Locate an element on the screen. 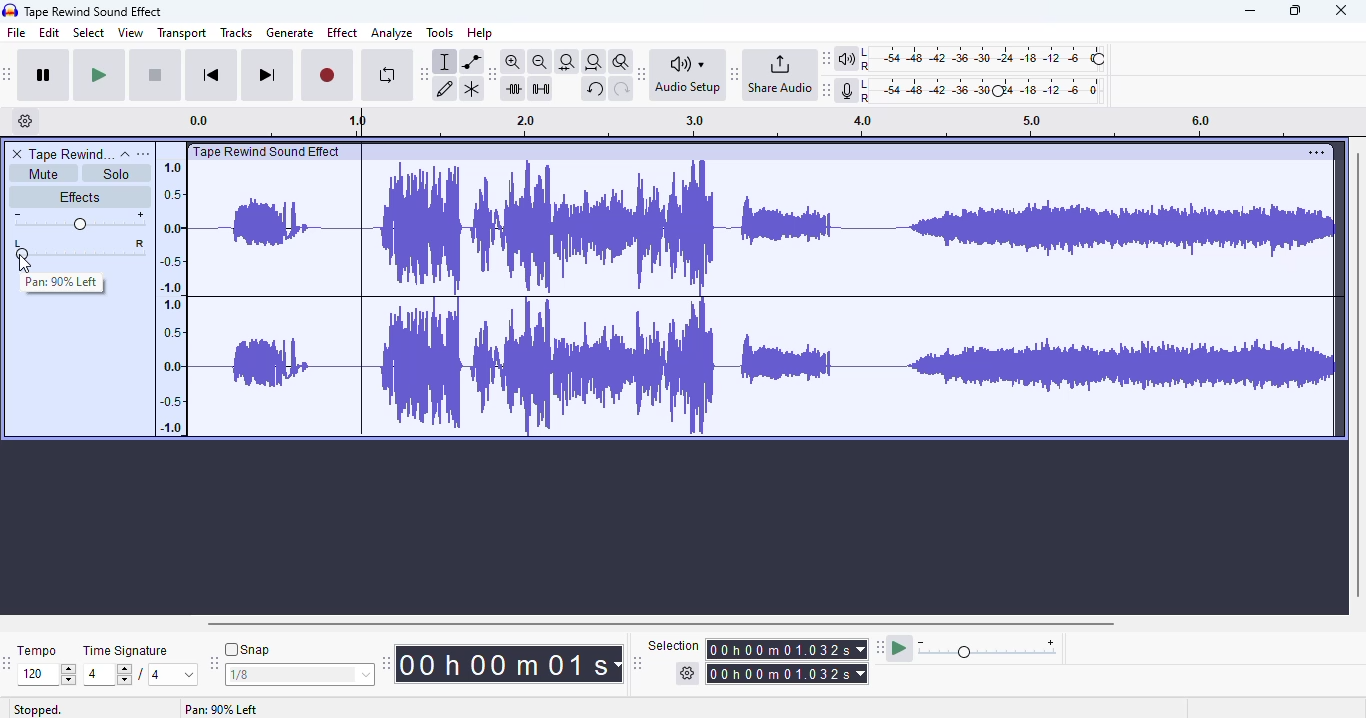 The width and height of the screenshot is (1366, 718). zoom out is located at coordinates (540, 62).